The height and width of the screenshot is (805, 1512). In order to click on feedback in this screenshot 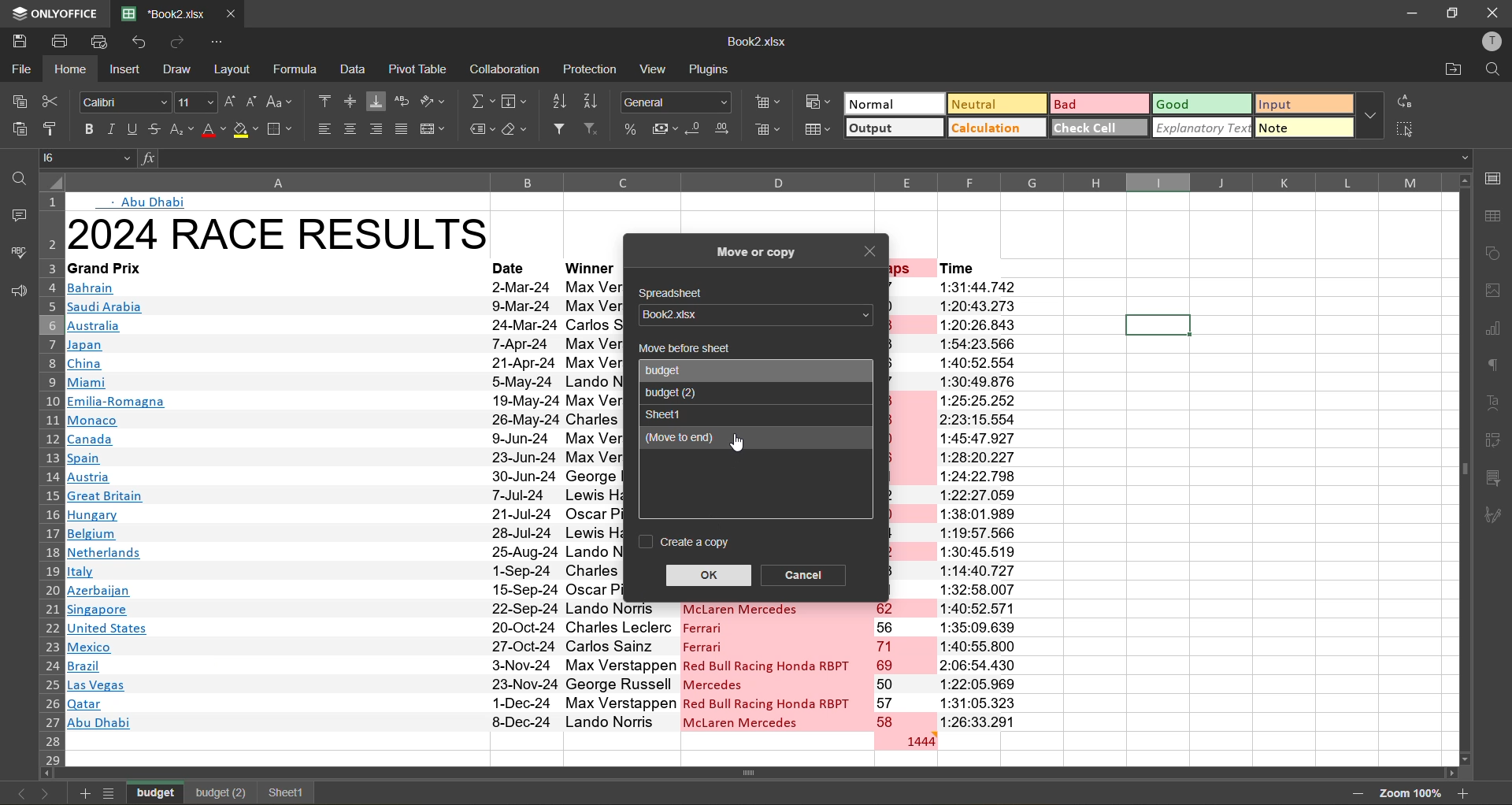, I will do `click(16, 292)`.